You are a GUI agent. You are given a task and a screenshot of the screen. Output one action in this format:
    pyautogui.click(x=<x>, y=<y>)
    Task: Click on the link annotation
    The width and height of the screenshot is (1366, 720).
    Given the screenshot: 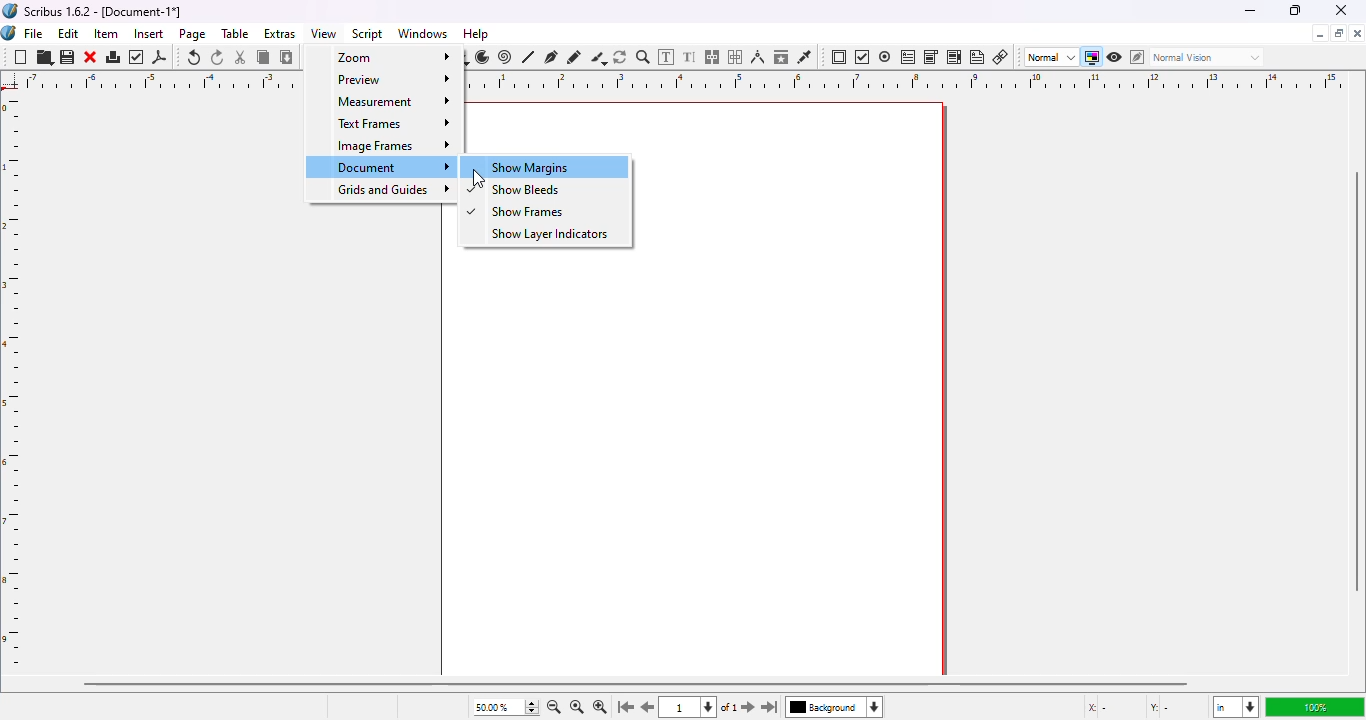 What is the action you would take?
    pyautogui.click(x=1001, y=57)
    